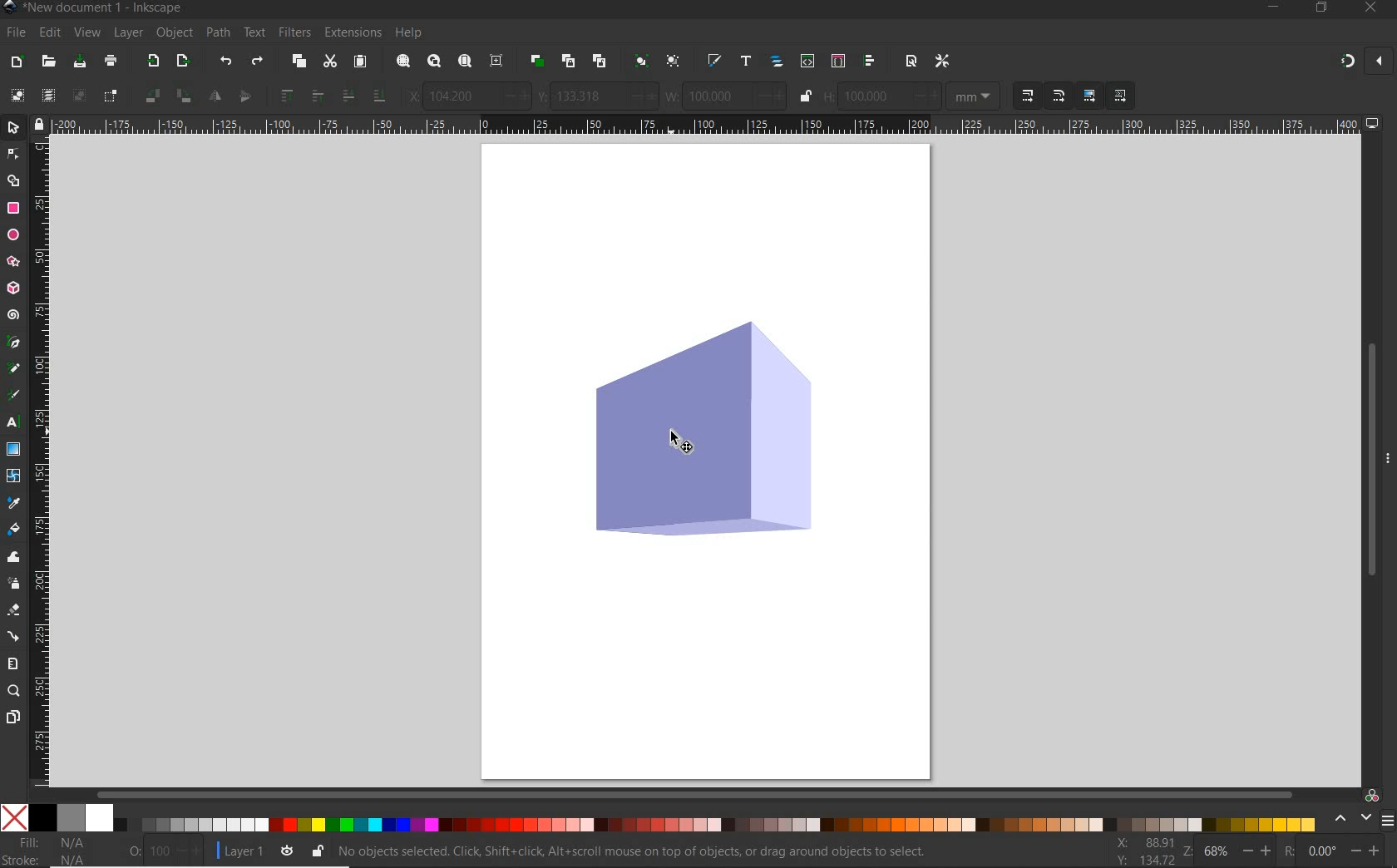 This screenshot has width=1397, height=868. Describe the element at coordinates (317, 851) in the screenshot. I see `LOCK/UNLOCK` at that location.